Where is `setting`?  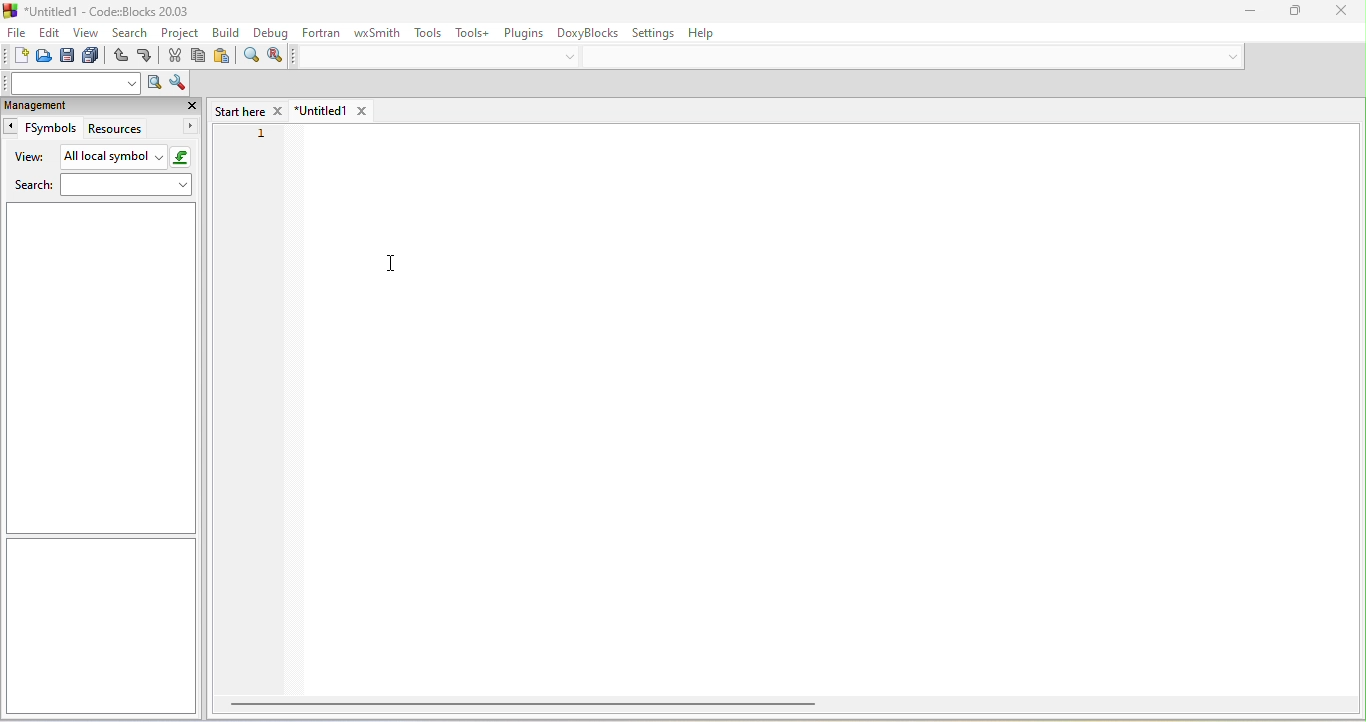 setting is located at coordinates (657, 34).